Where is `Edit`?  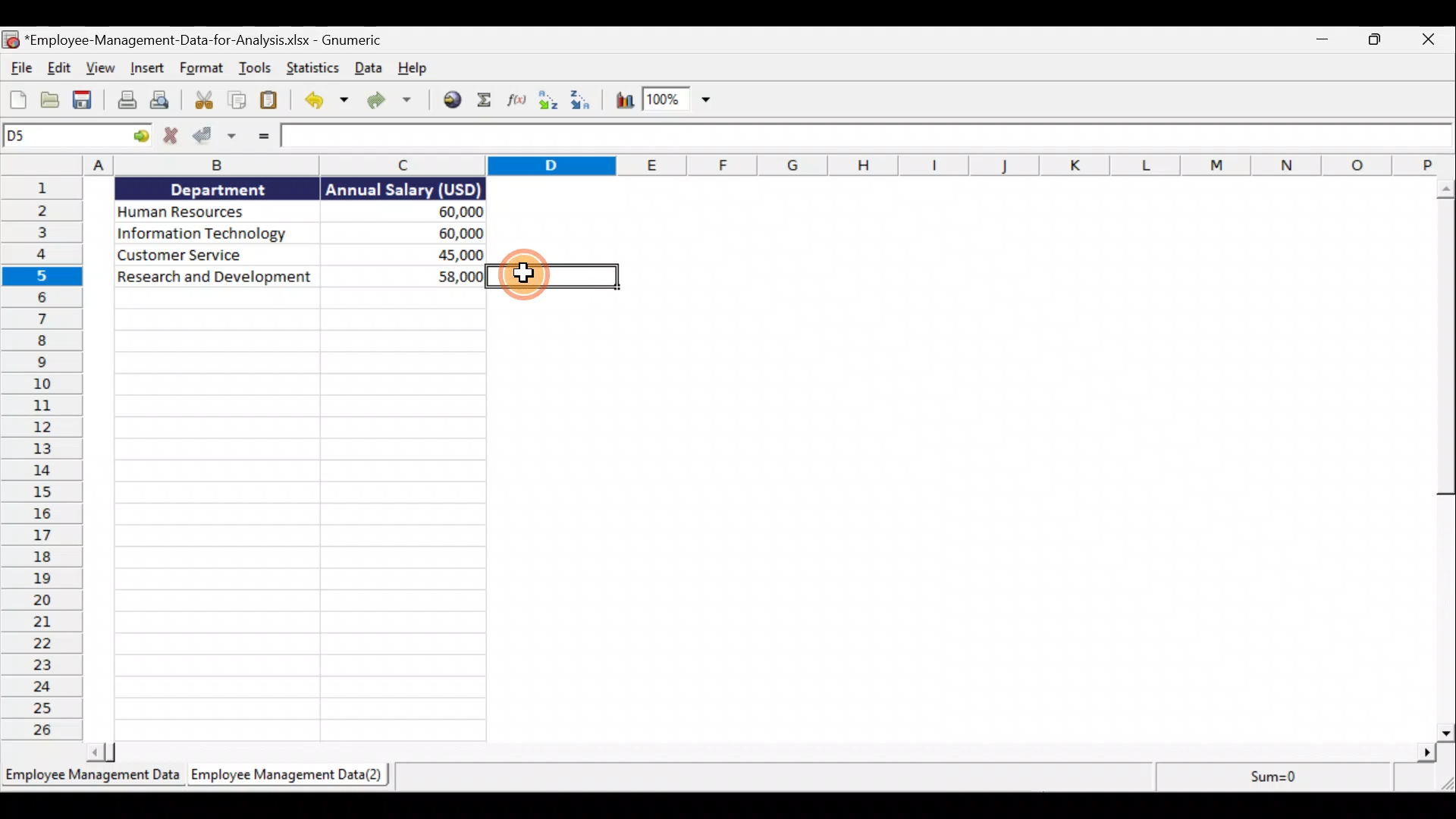 Edit is located at coordinates (61, 70).